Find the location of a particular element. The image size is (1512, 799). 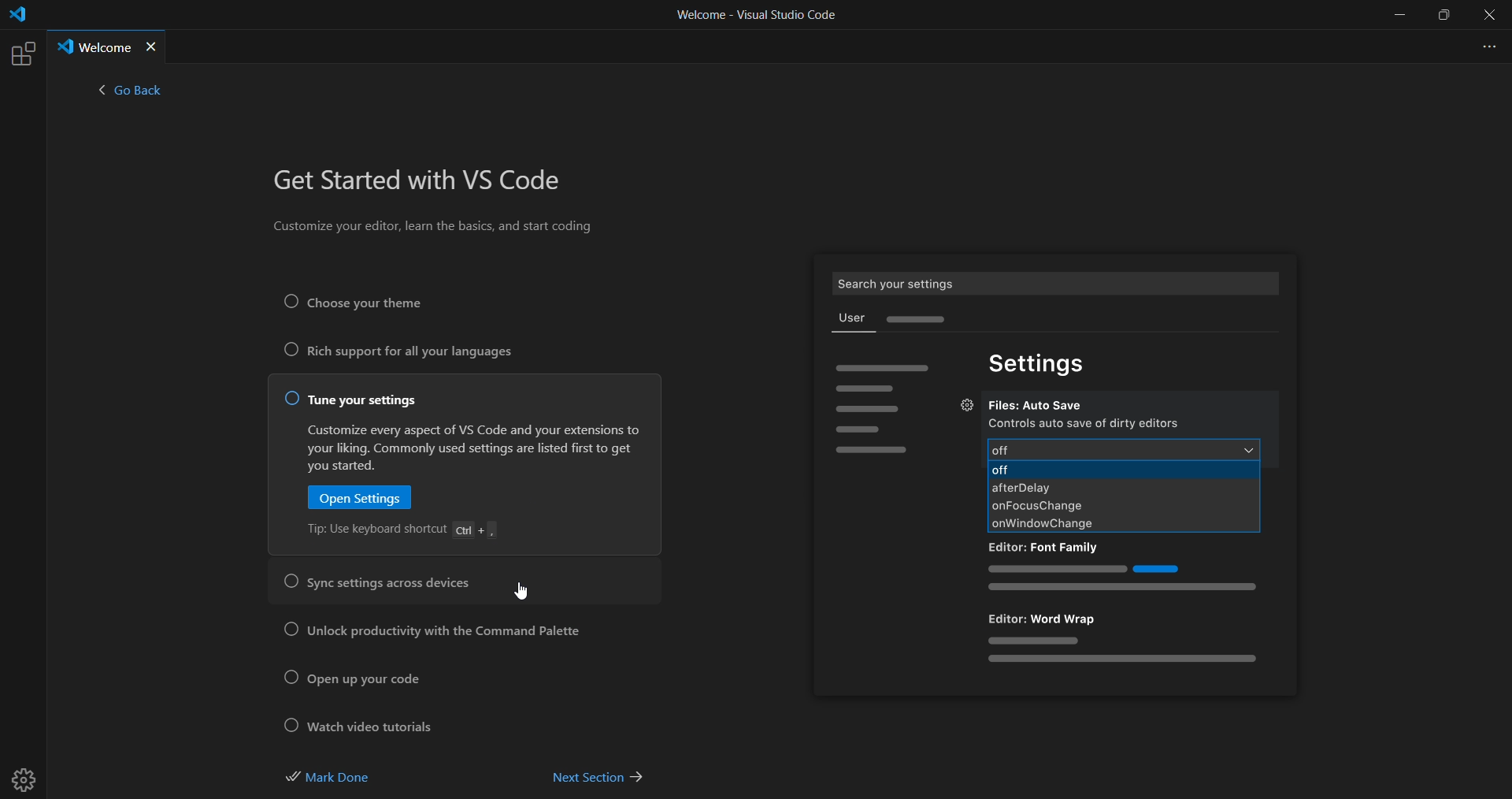

open up your code is located at coordinates (359, 678).